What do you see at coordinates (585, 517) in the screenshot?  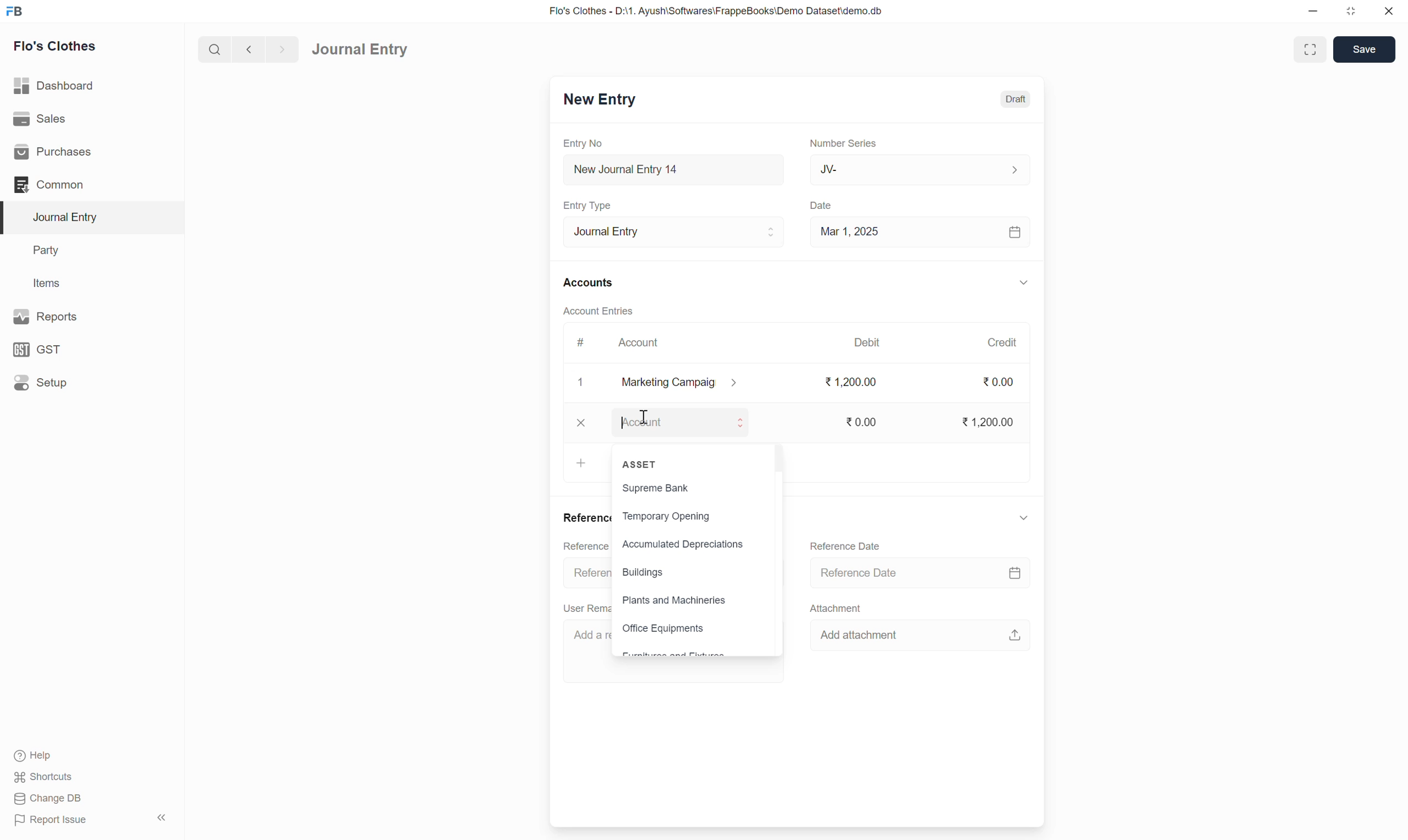 I see `Reference` at bounding box center [585, 517].